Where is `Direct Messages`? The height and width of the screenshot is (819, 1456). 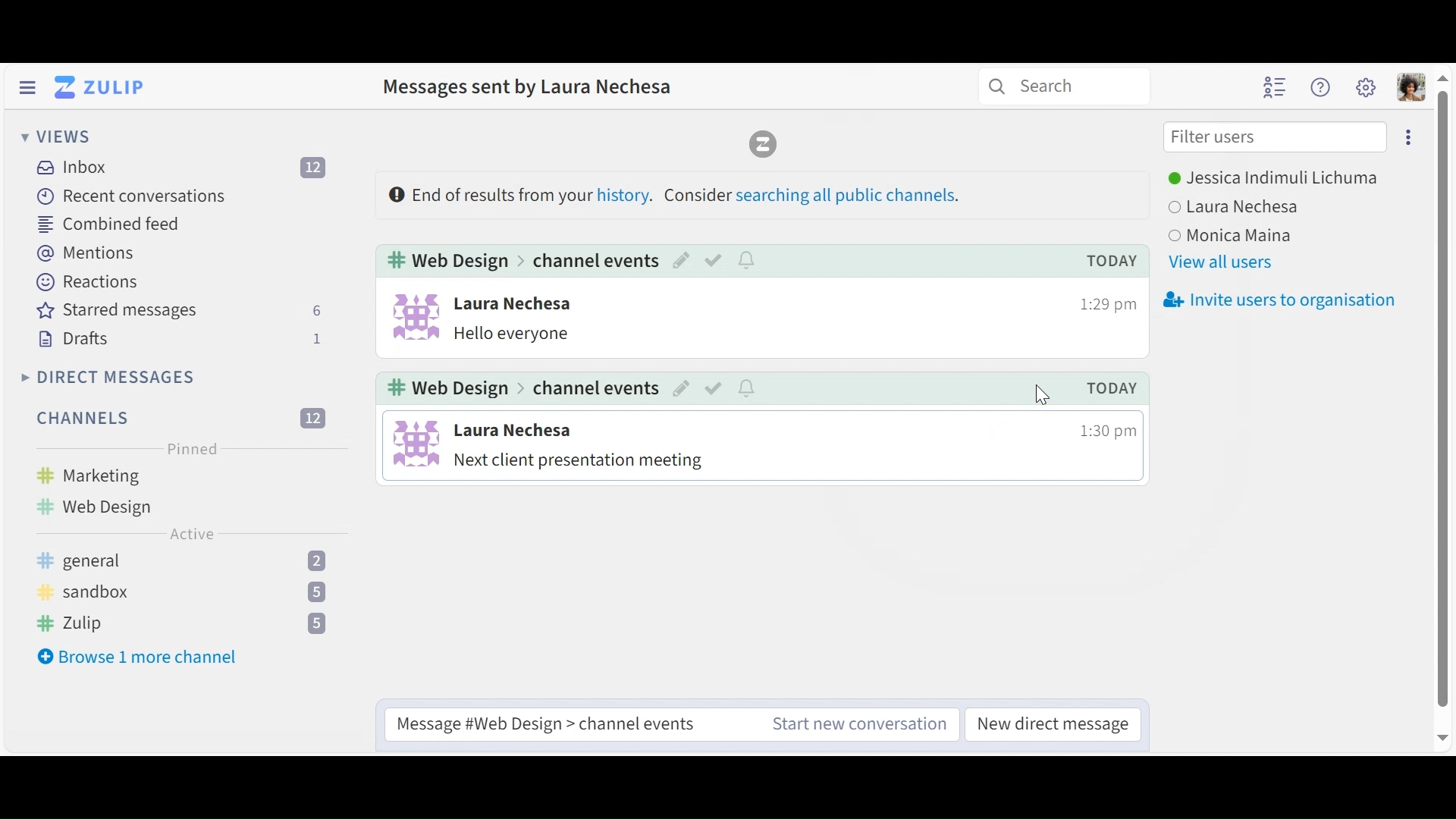 Direct Messages is located at coordinates (108, 377).